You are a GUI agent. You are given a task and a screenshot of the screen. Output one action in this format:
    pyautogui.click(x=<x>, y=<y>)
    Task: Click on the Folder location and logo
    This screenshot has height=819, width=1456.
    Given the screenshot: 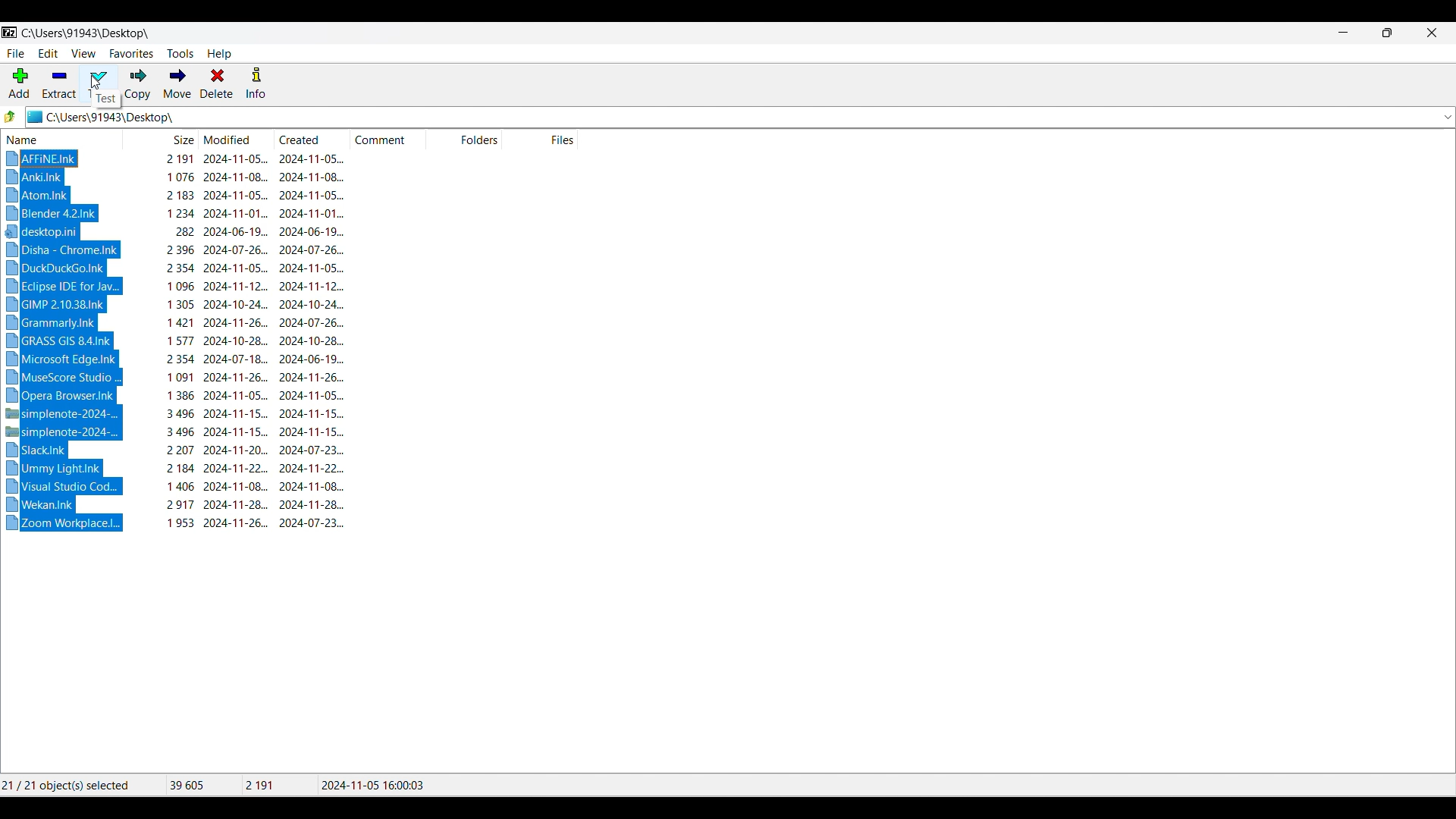 What is the action you would take?
    pyautogui.click(x=730, y=118)
    